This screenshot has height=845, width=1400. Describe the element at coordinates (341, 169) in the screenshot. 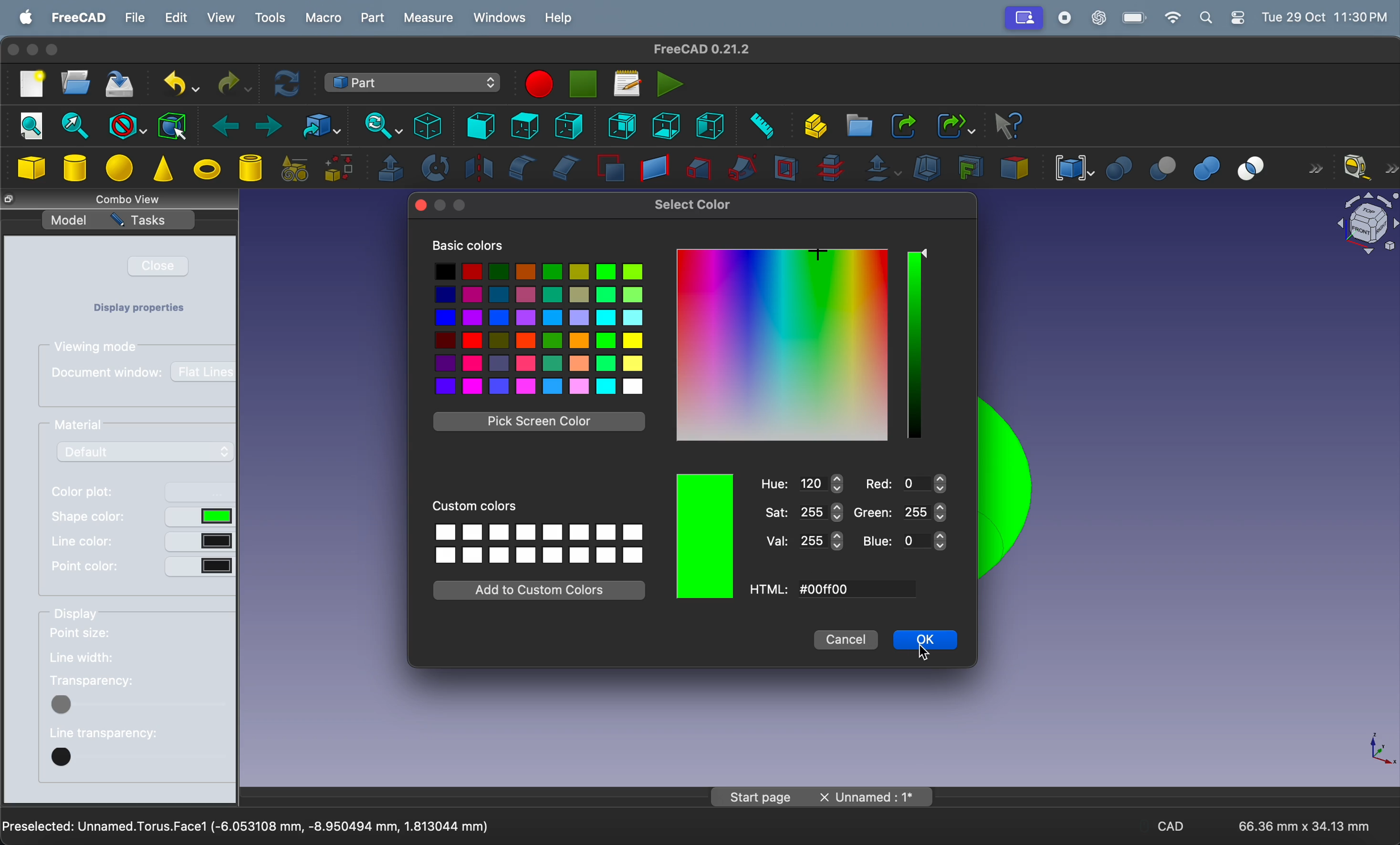

I see `shape builder` at that location.